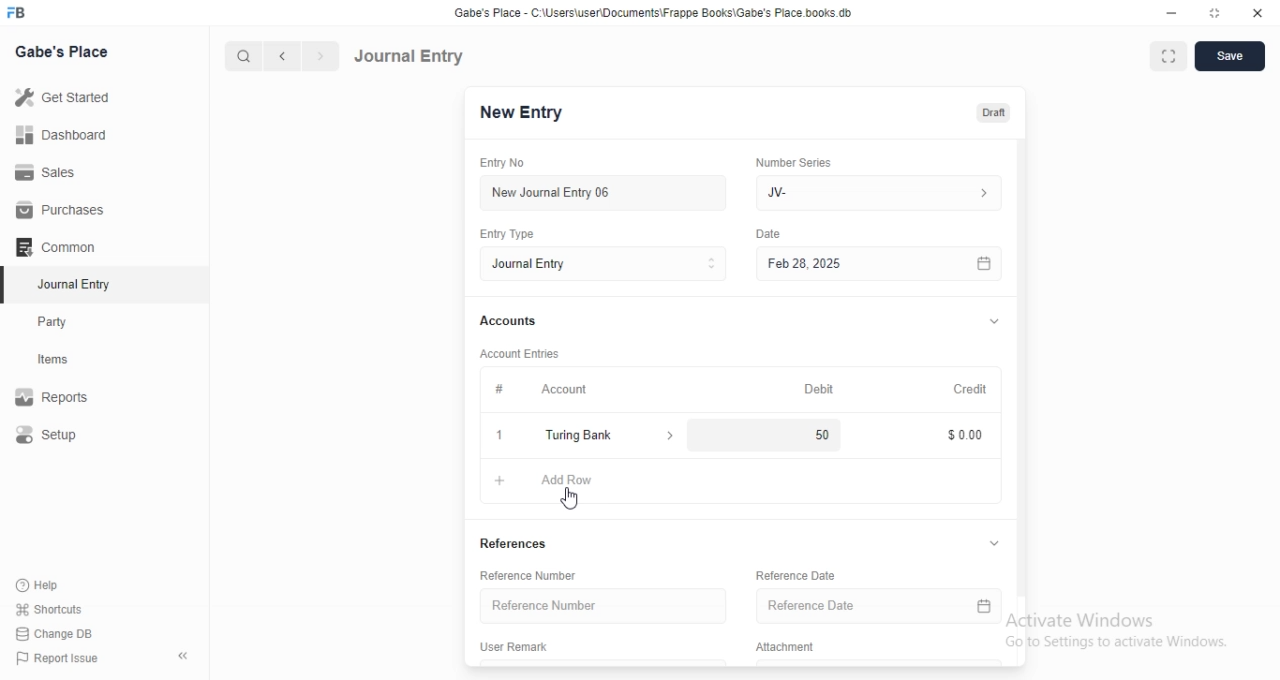  I want to click on turing bank, so click(607, 437).